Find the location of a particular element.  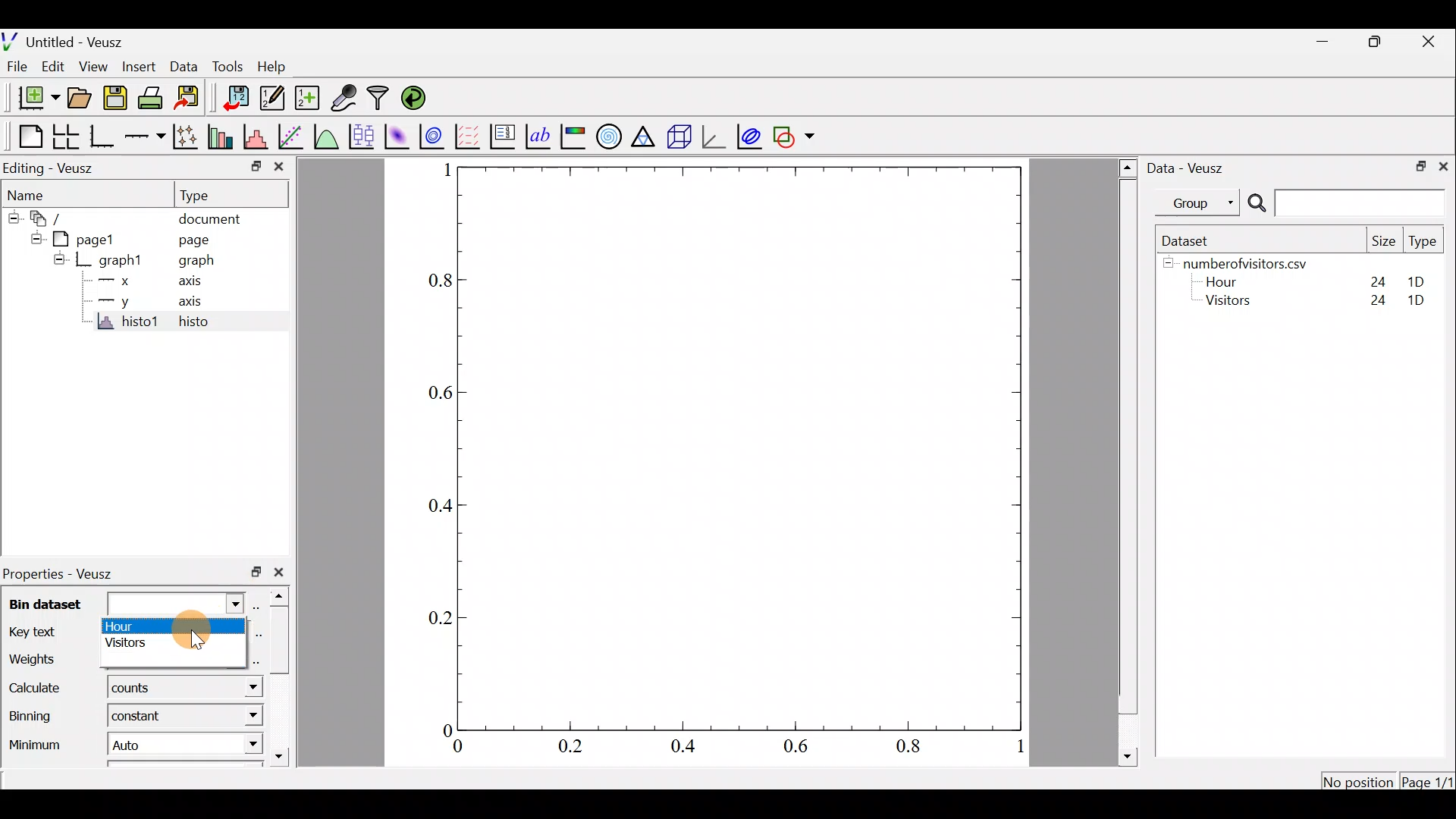

restore down is located at coordinates (253, 572).